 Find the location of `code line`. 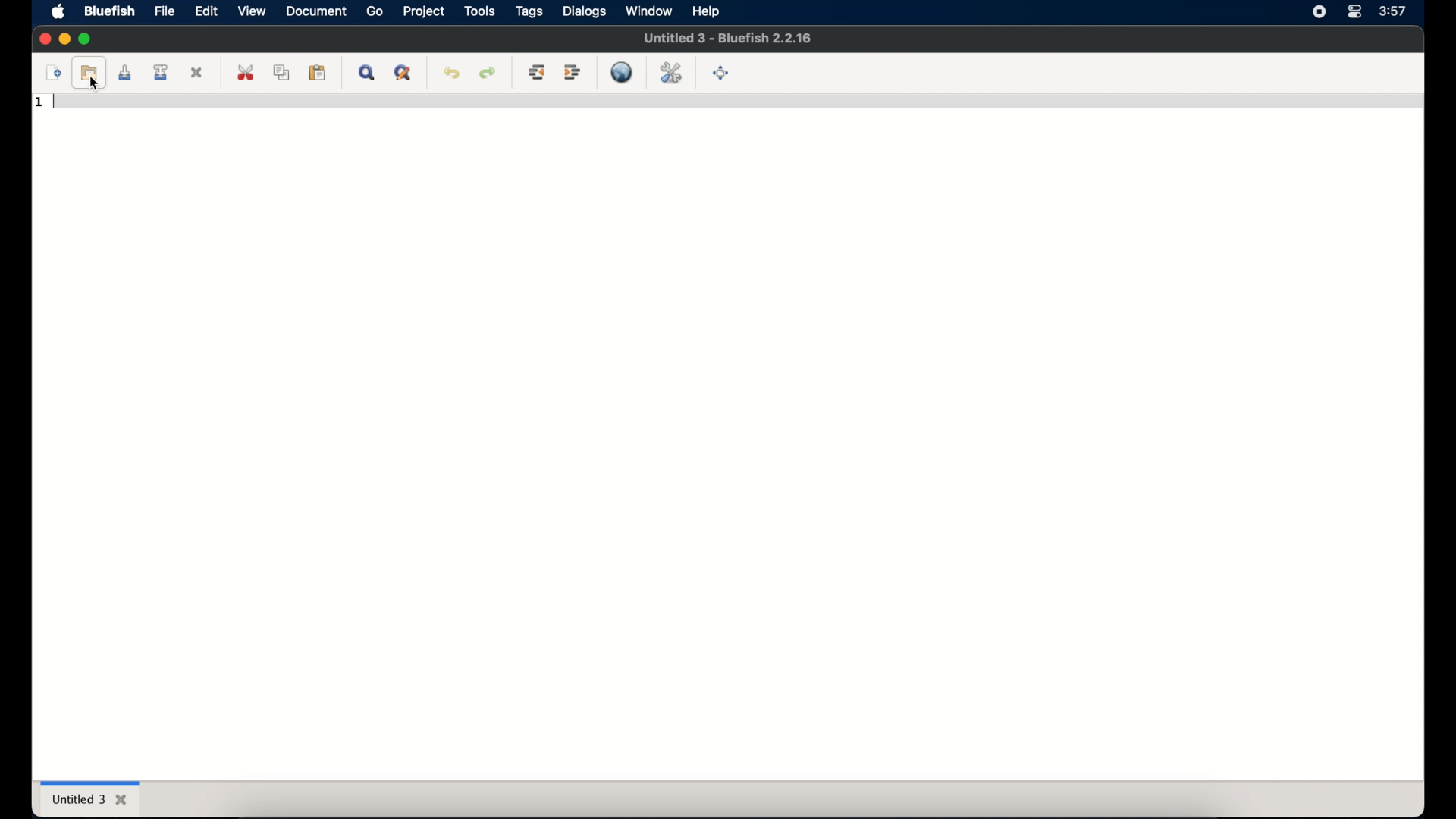

code line is located at coordinates (736, 104).